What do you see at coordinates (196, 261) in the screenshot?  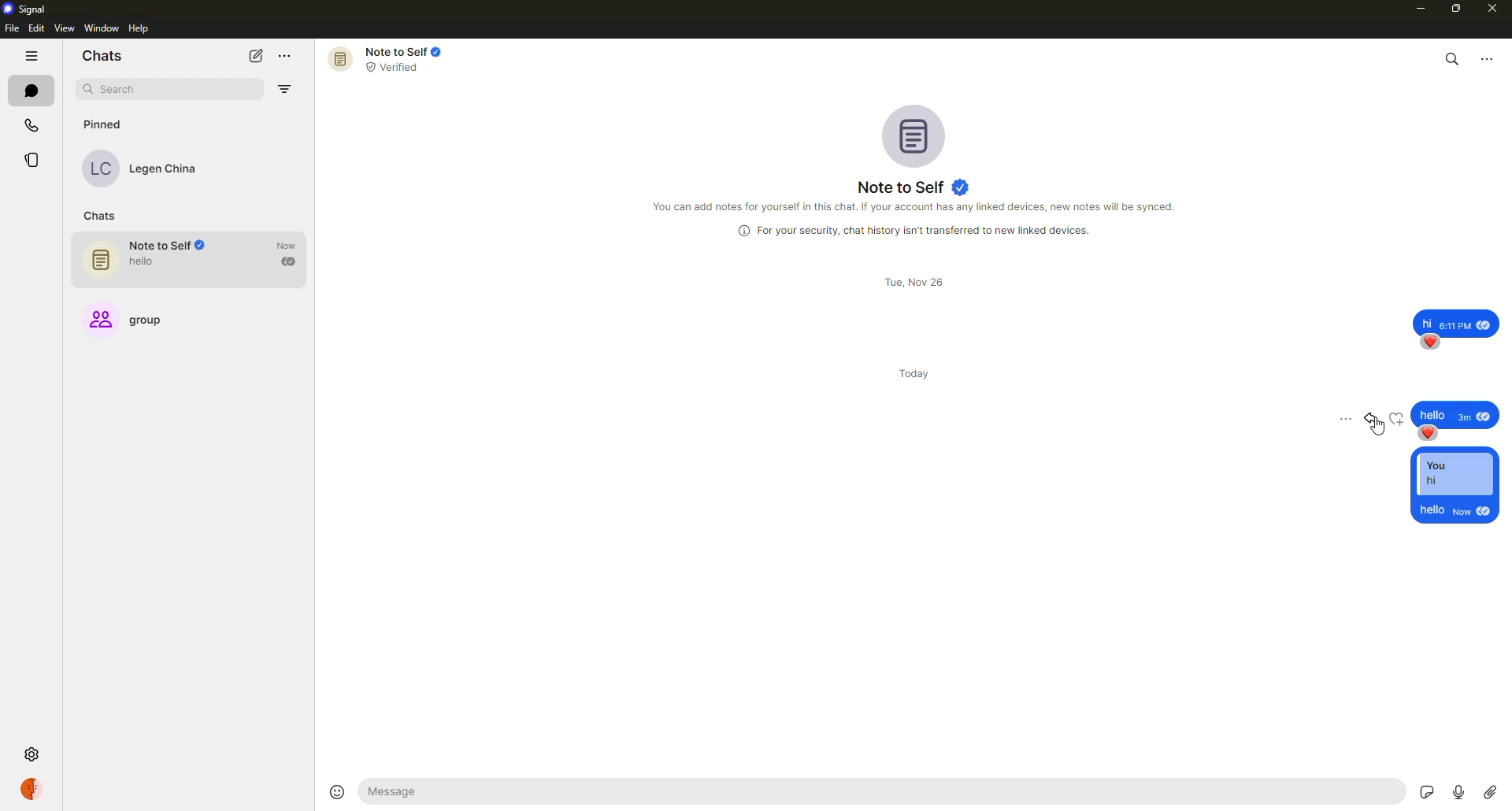 I see `note to self` at bounding box center [196, 261].